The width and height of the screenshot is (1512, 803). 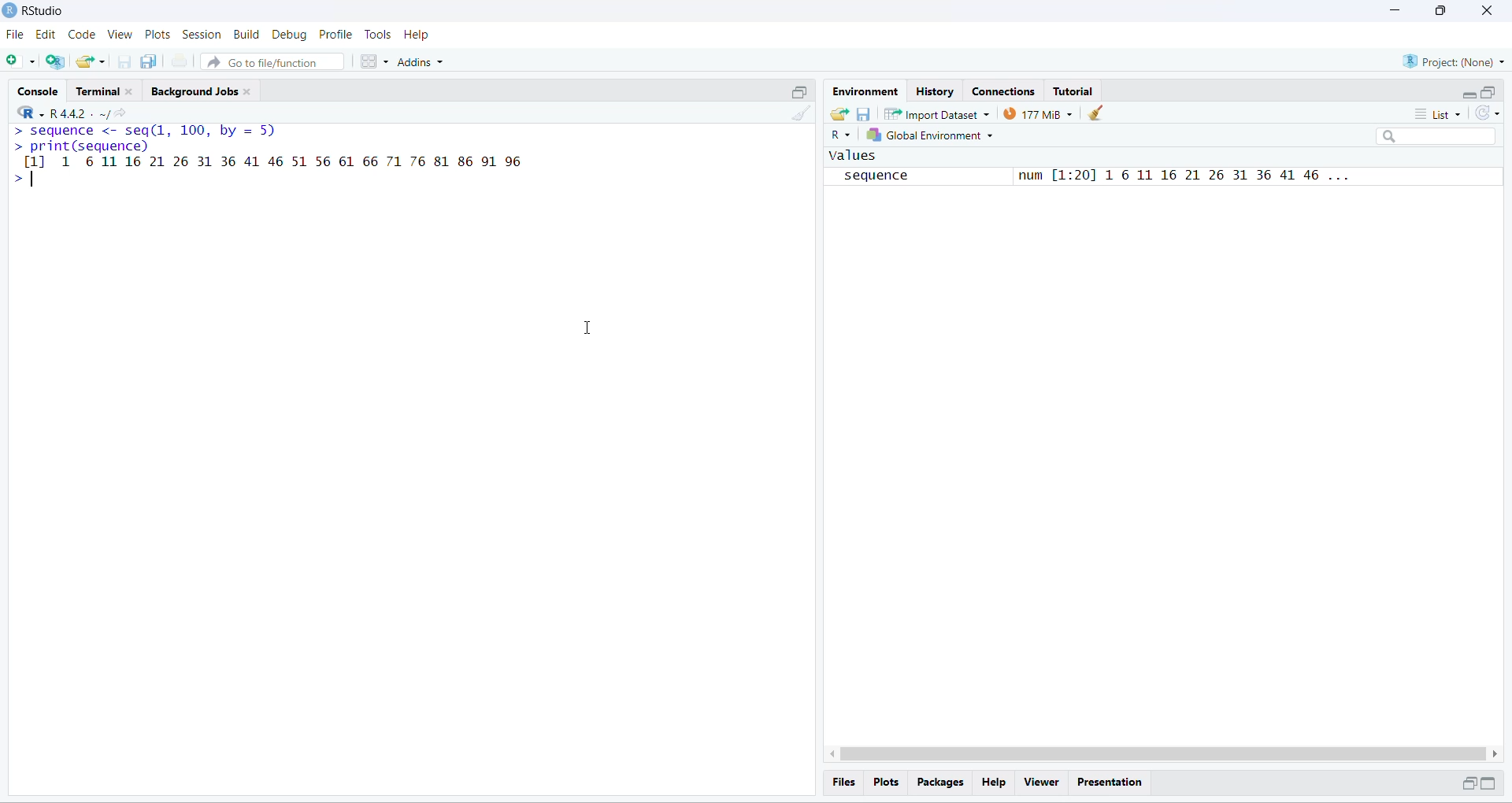 I want to click on help, so click(x=416, y=35).